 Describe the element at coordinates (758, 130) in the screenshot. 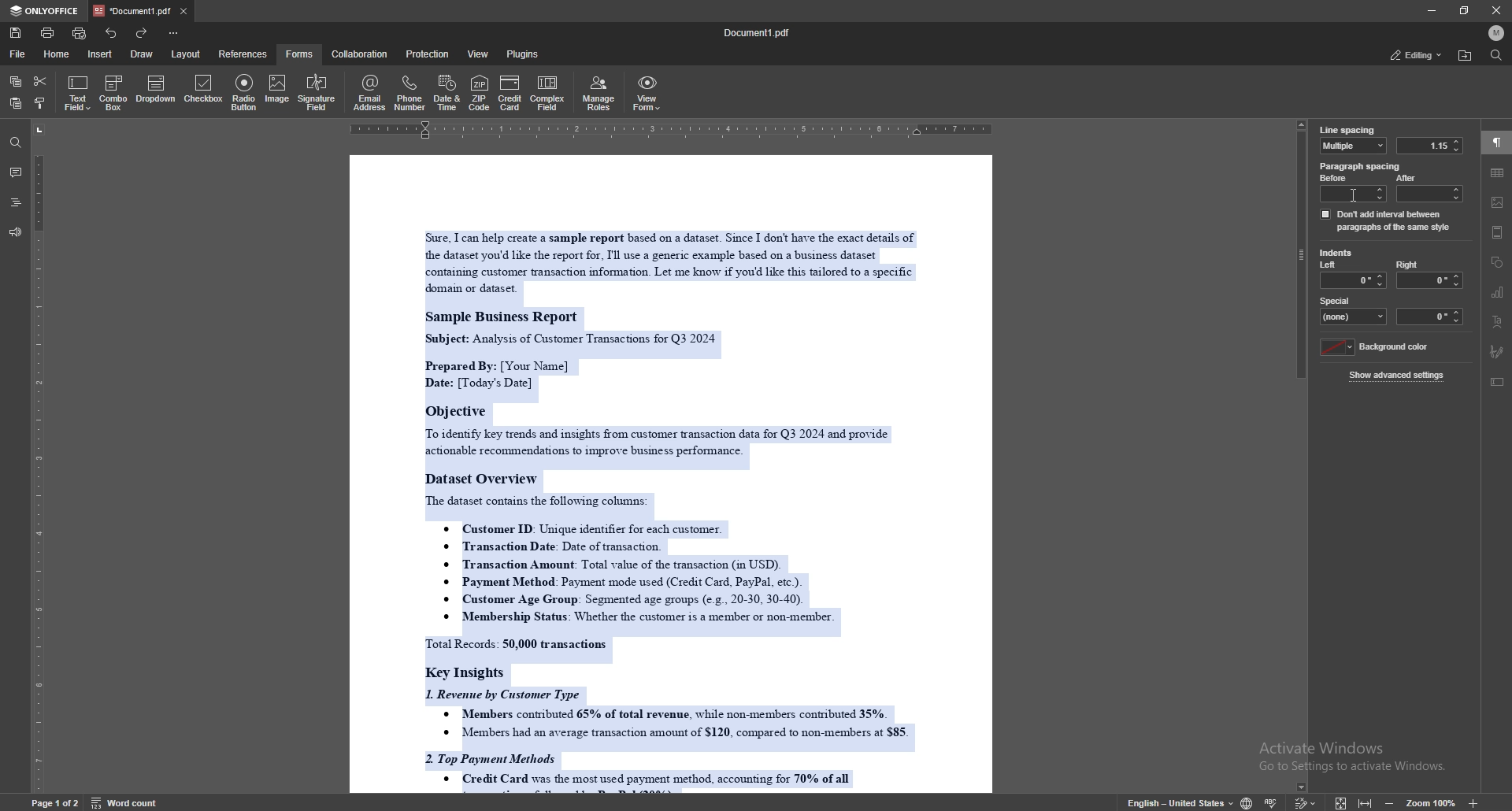

I see `horizontal scale` at that location.